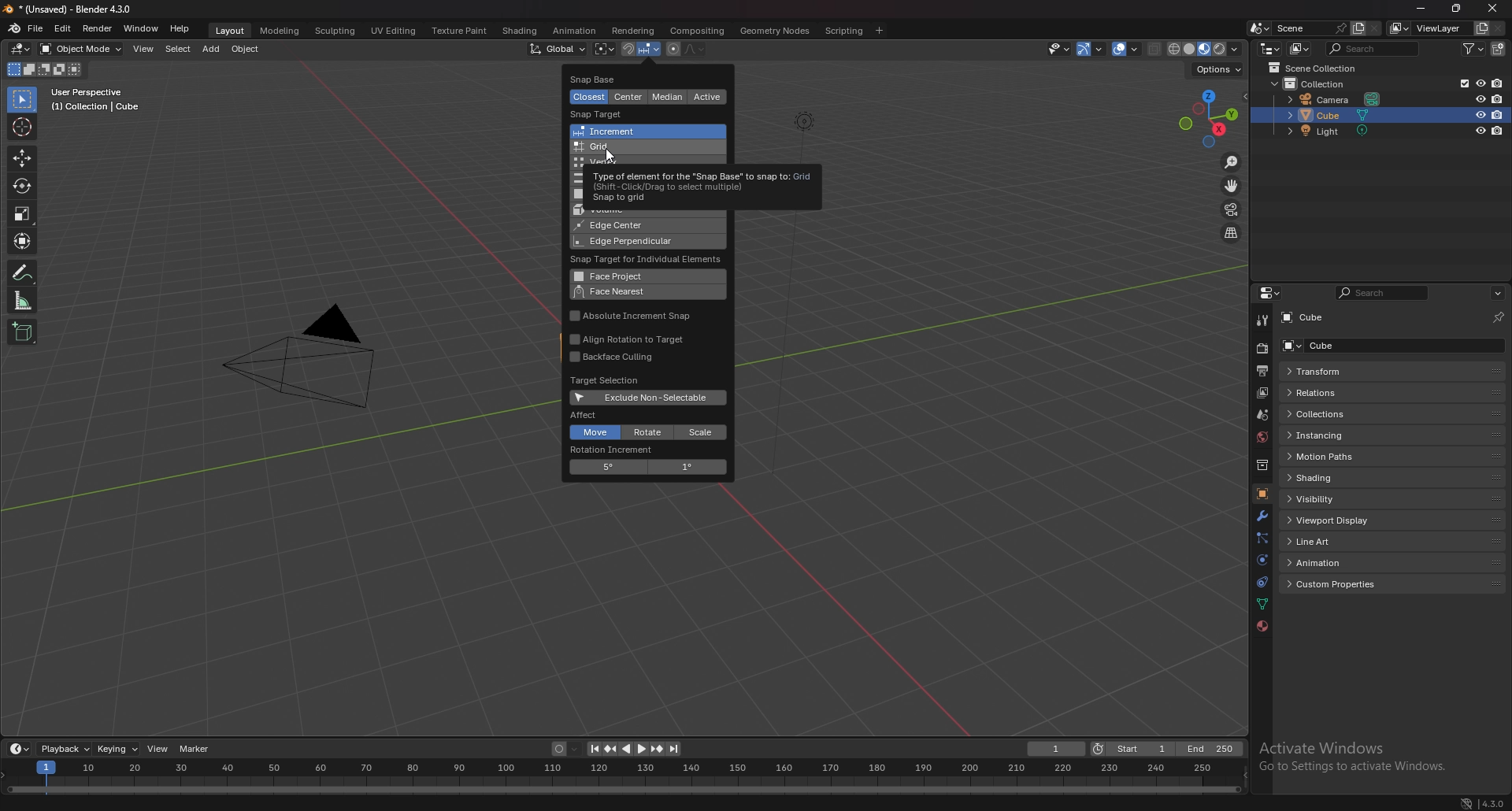 The width and height of the screenshot is (1512, 811). What do you see at coordinates (1060, 50) in the screenshot?
I see `selectibility and visibility` at bounding box center [1060, 50].